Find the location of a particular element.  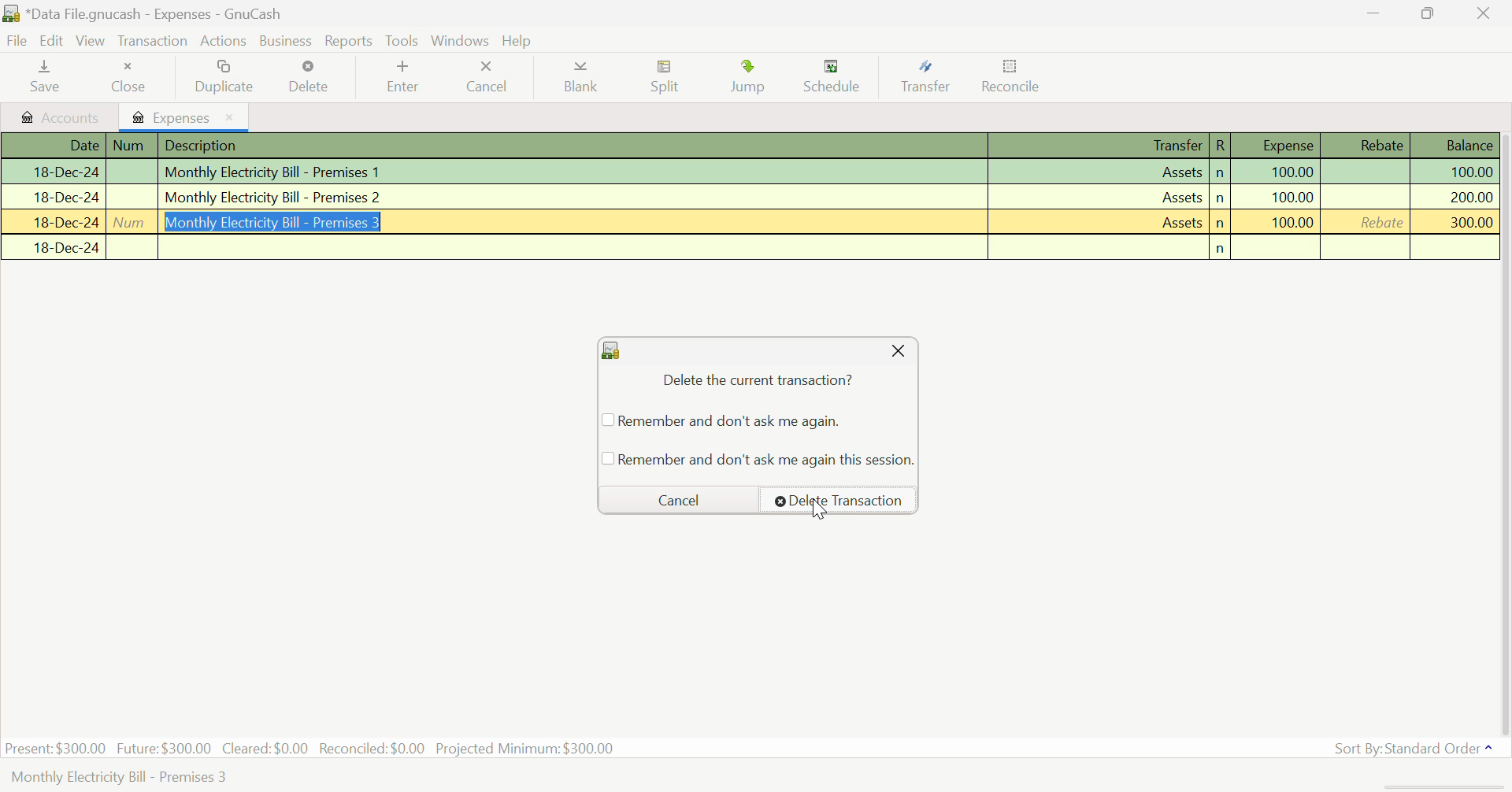

Delete is located at coordinates (309, 77).